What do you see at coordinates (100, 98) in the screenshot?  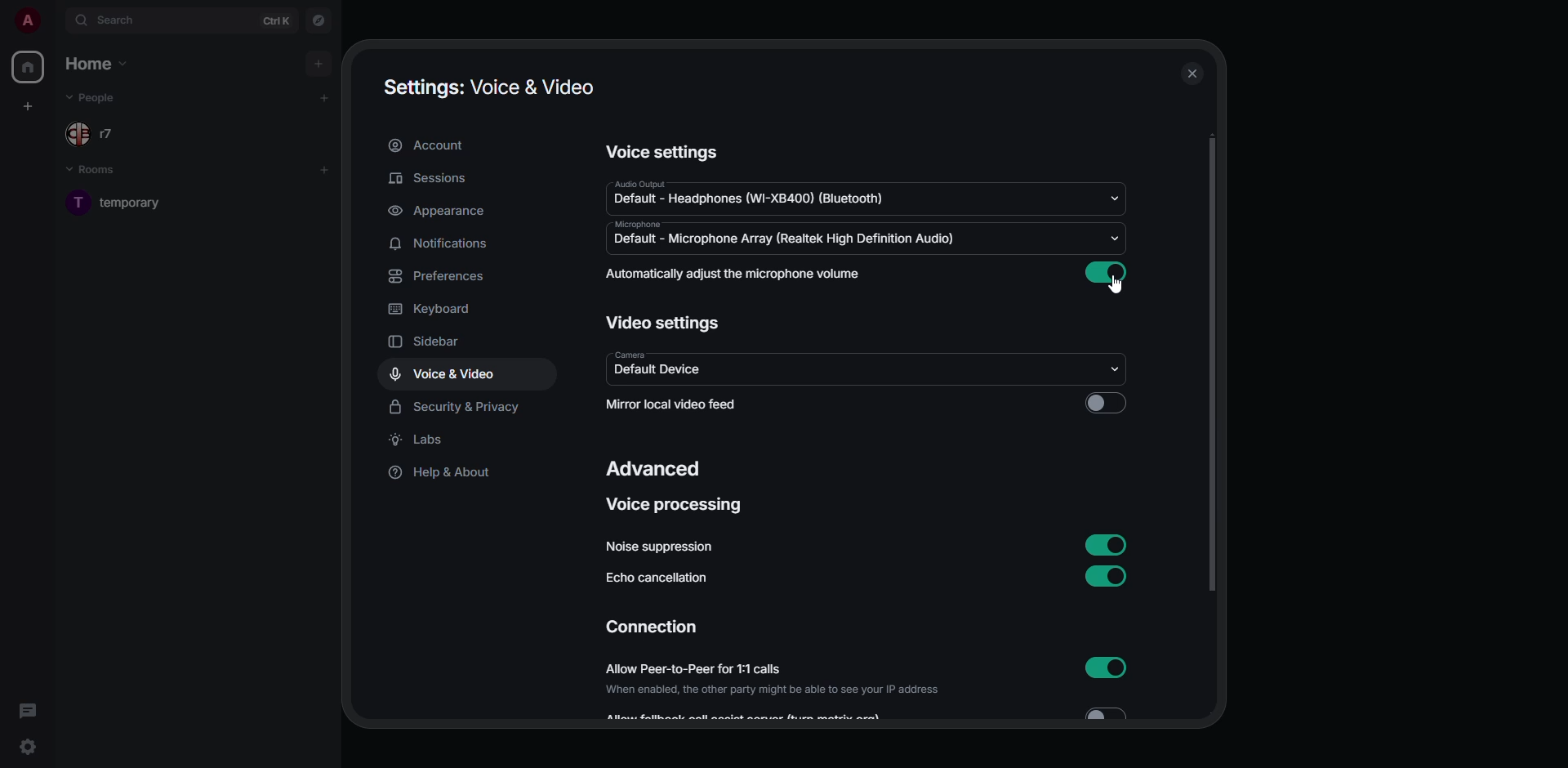 I see `people` at bounding box center [100, 98].